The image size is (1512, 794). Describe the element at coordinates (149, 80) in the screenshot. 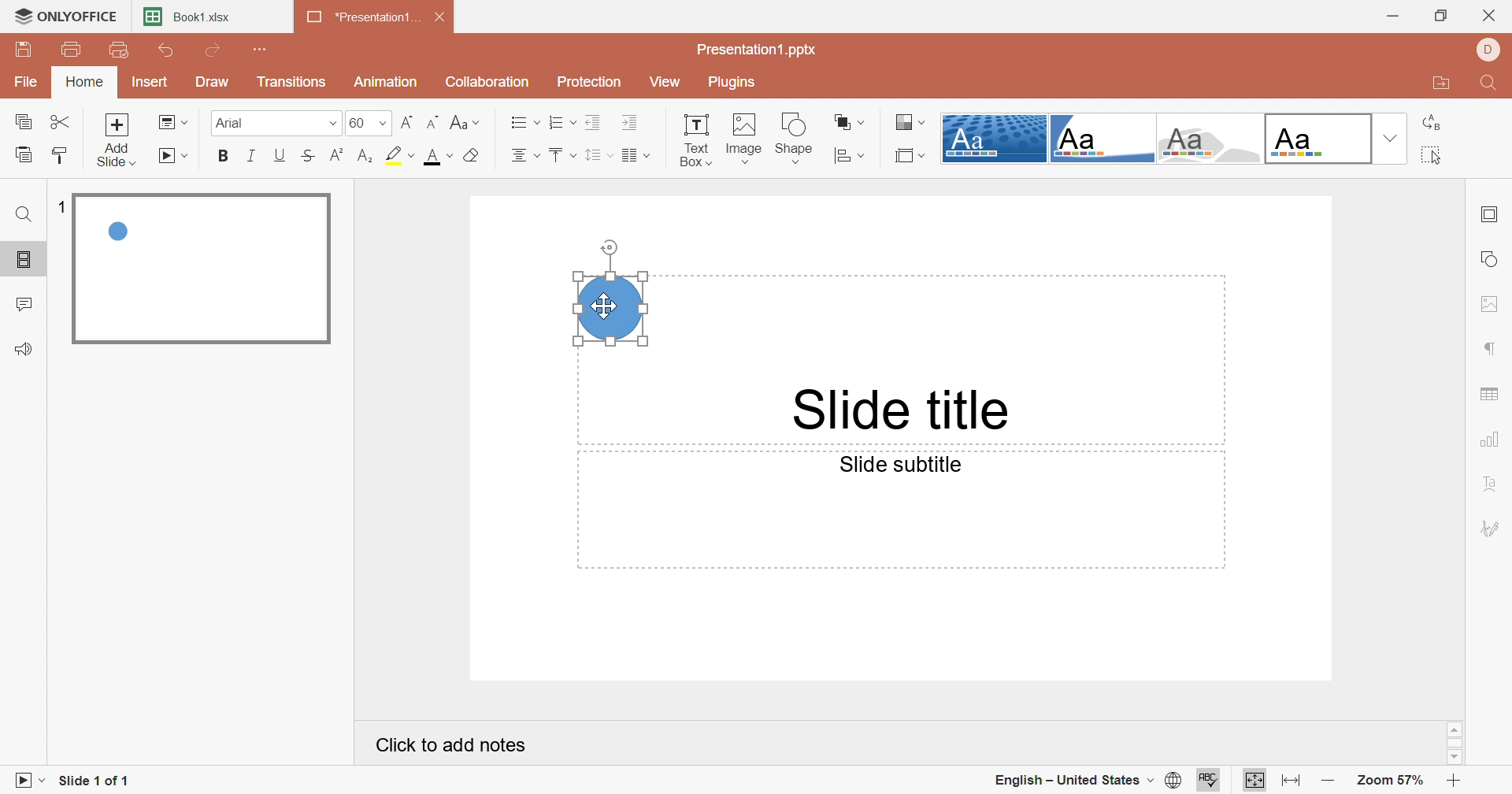

I see `Insert` at that location.